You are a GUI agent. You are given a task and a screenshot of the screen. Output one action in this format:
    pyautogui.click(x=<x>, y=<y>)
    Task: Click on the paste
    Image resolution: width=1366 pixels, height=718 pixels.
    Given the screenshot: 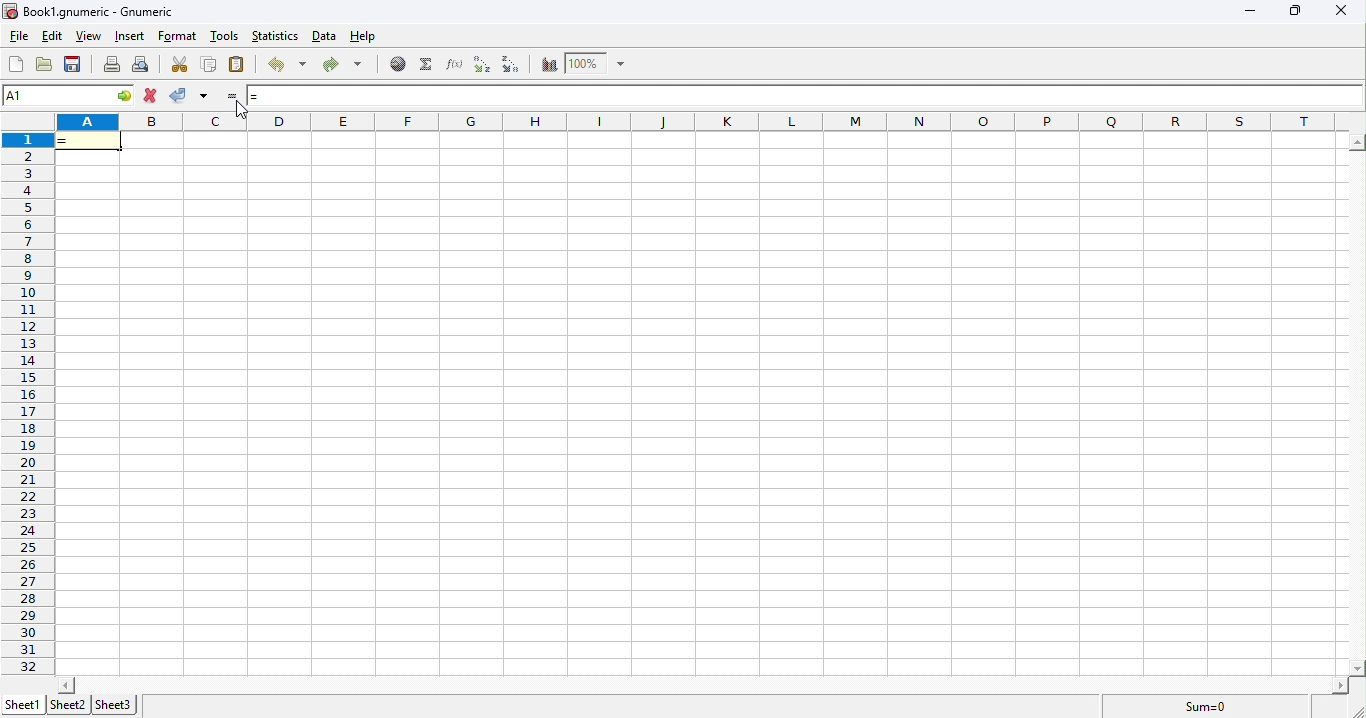 What is the action you would take?
    pyautogui.click(x=236, y=64)
    